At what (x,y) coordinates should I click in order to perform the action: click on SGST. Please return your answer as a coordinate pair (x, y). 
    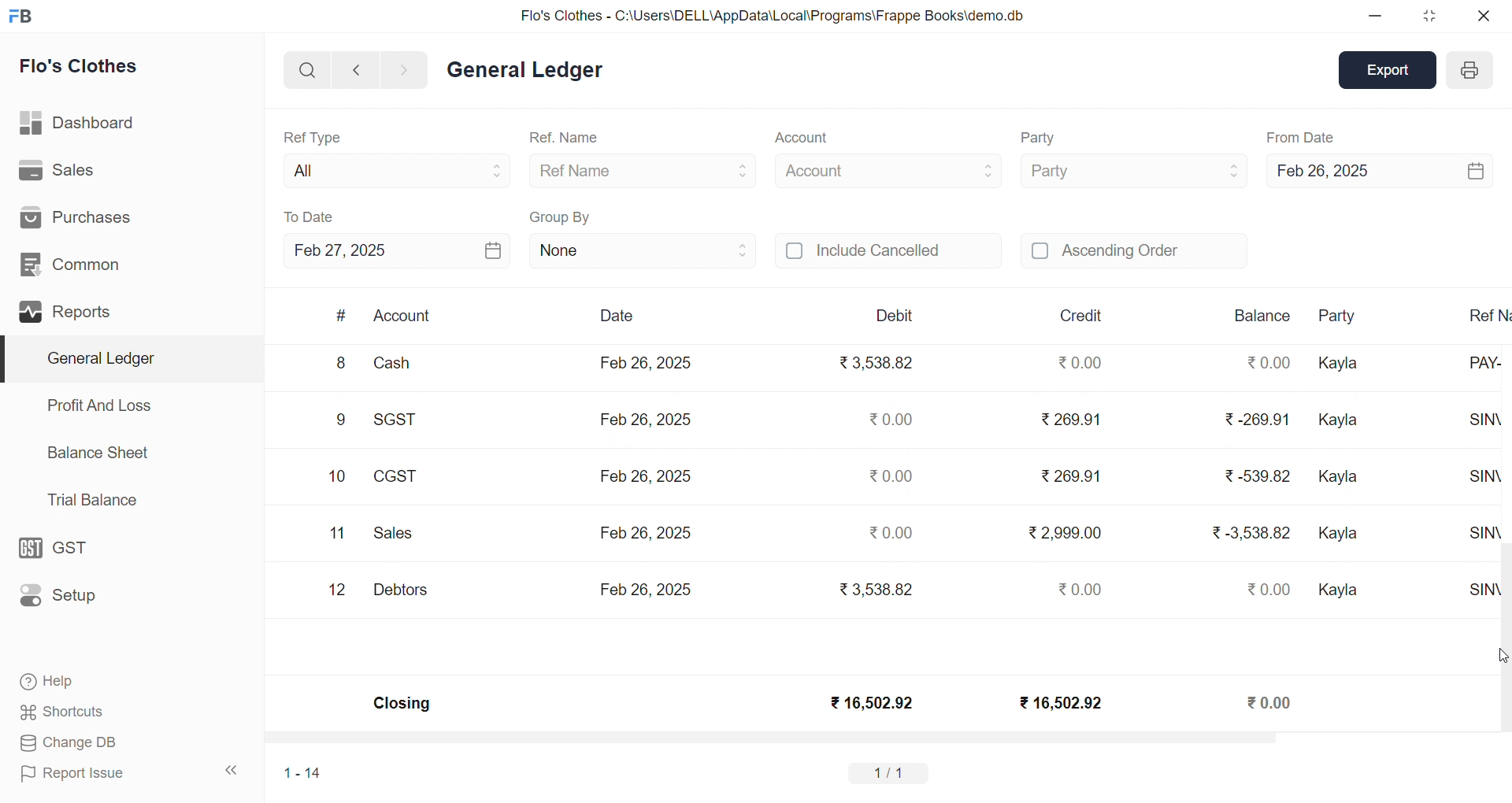
    Looking at the image, I should click on (403, 421).